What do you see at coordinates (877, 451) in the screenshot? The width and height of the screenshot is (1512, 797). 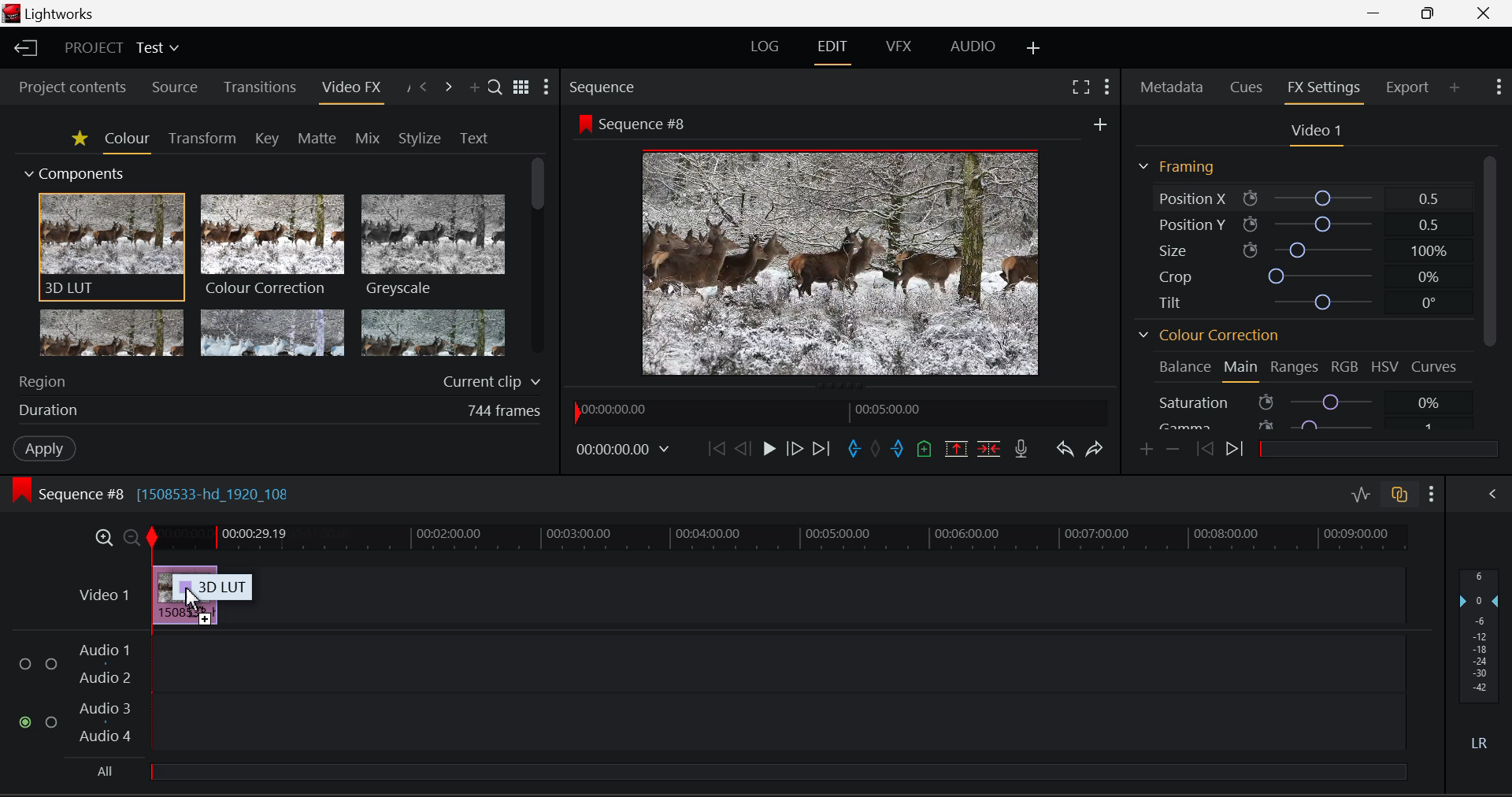 I see `Remove all marks` at bounding box center [877, 451].